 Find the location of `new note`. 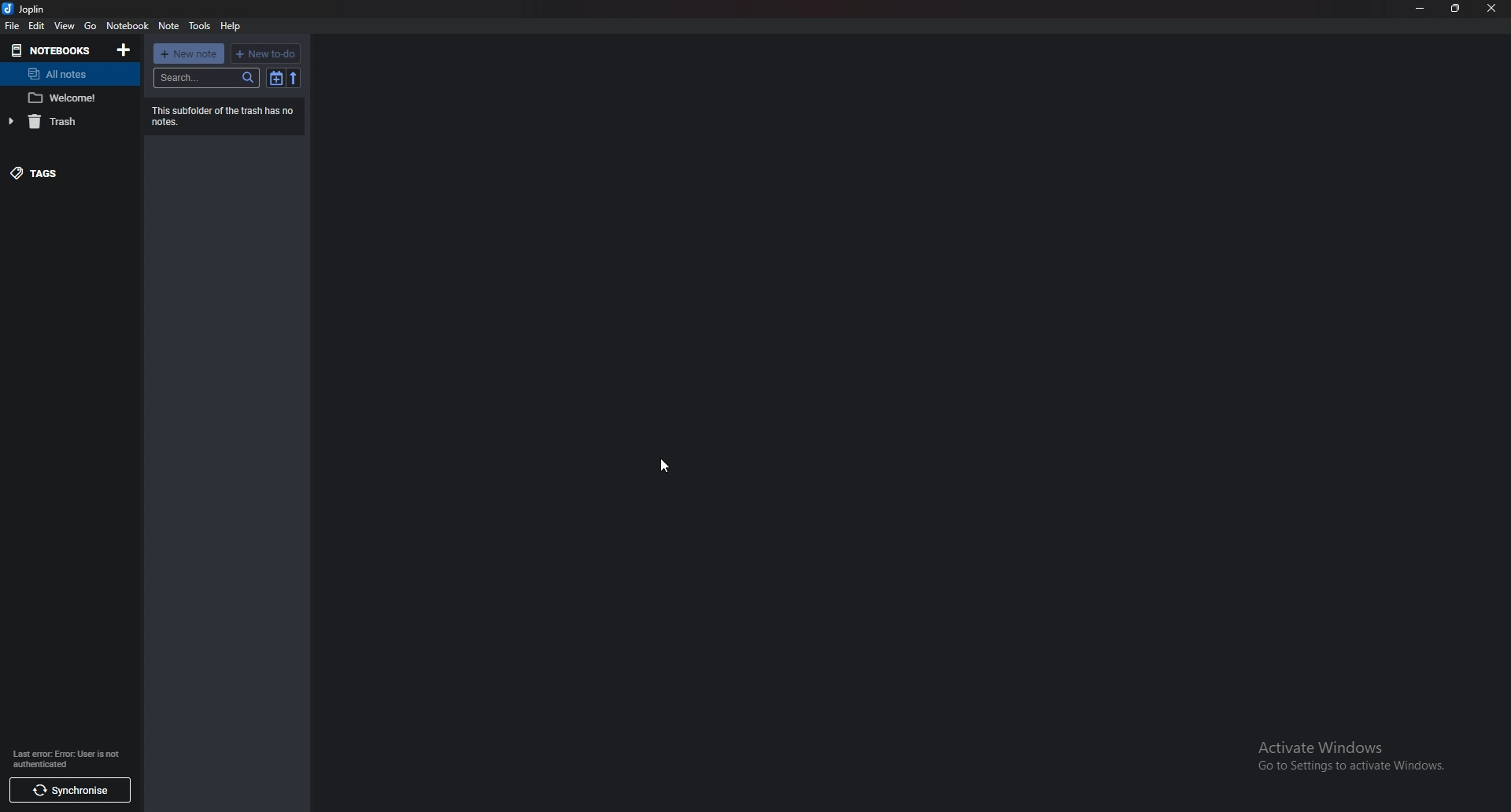

new note is located at coordinates (190, 53).